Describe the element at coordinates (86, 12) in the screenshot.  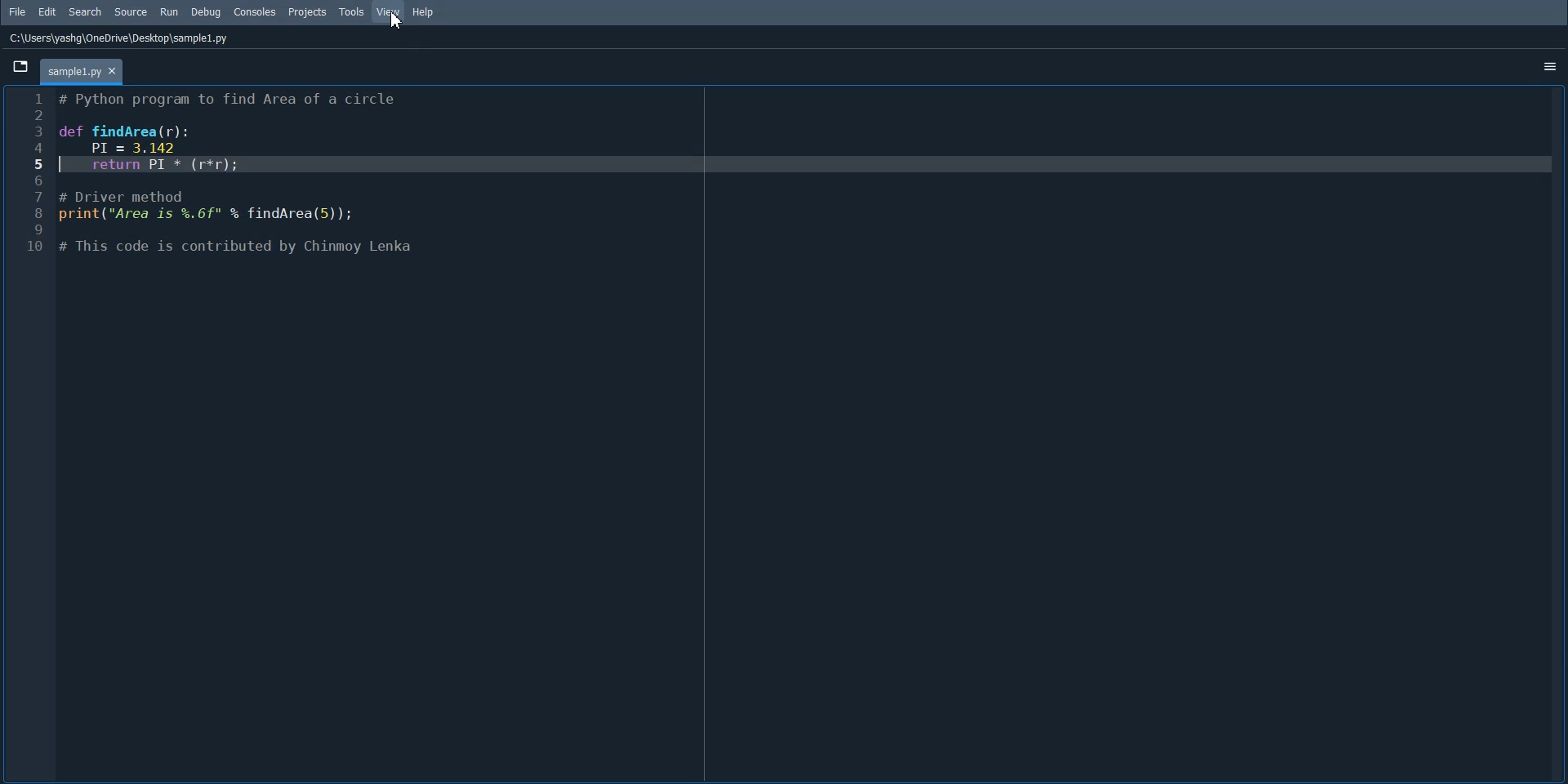
I see `Search` at that location.